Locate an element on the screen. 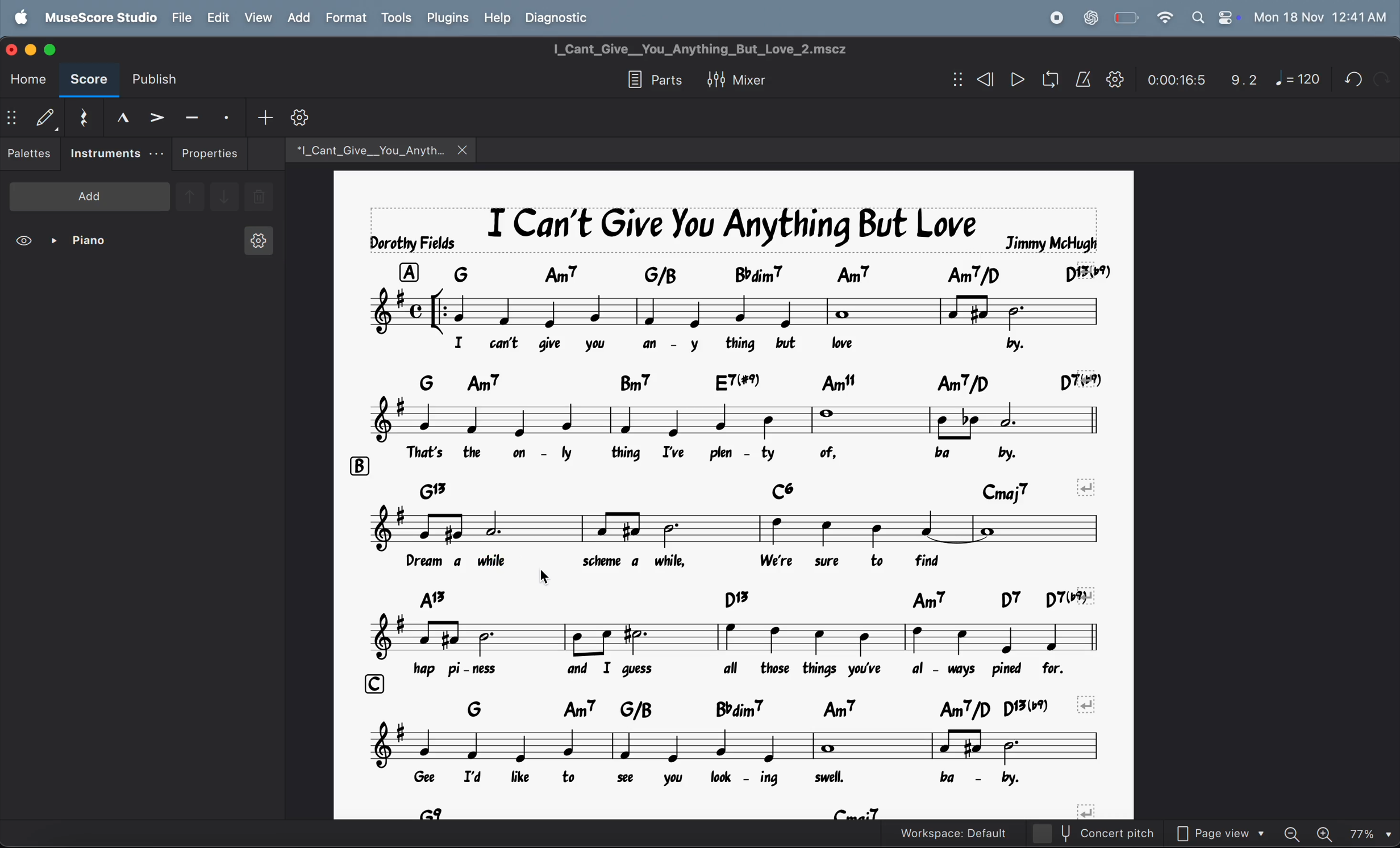 The image size is (1400, 848). play is located at coordinates (1017, 80).